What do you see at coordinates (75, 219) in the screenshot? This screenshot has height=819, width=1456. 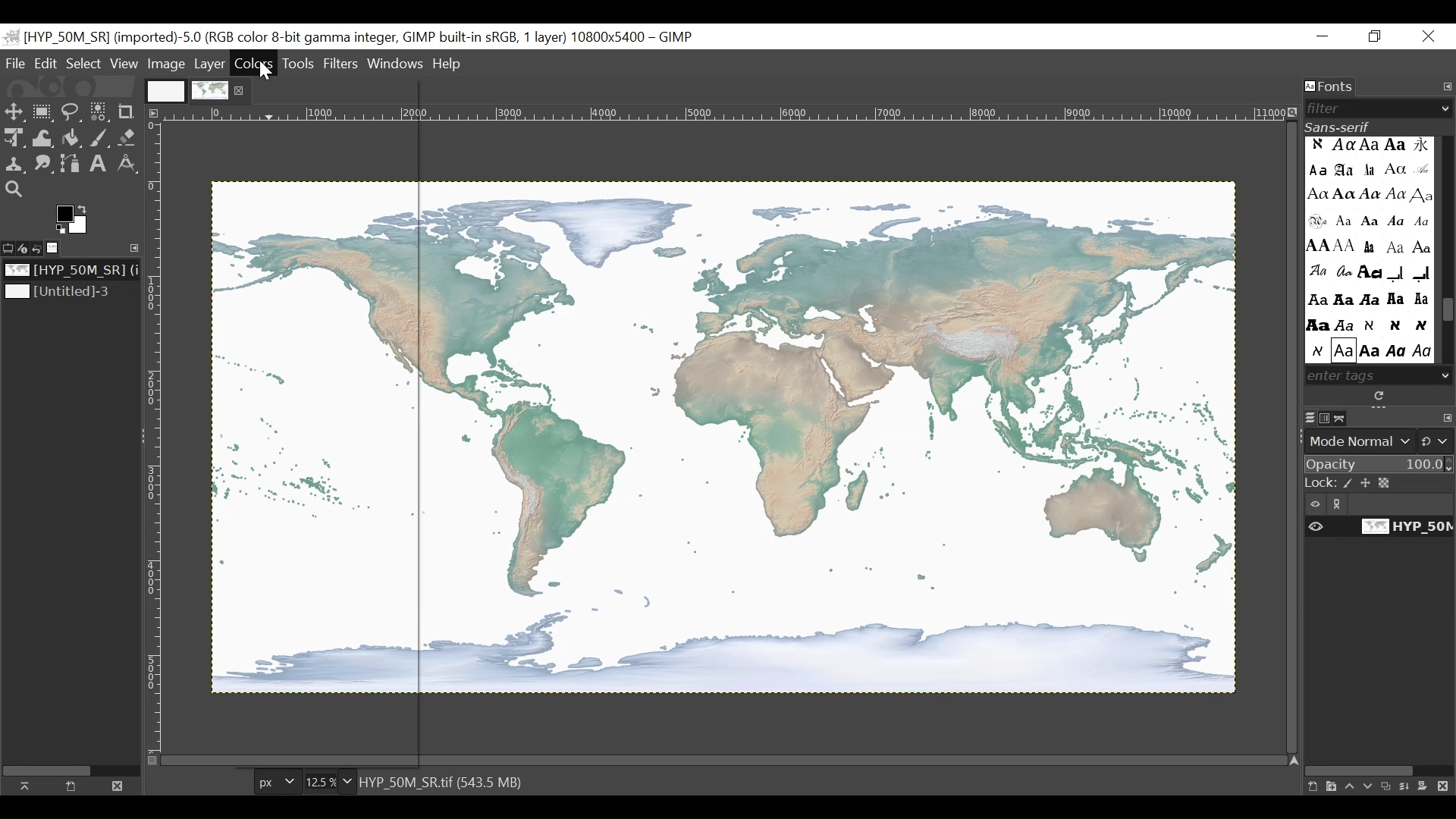 I see `Active foreground/background` at bounding box center [75, 219].